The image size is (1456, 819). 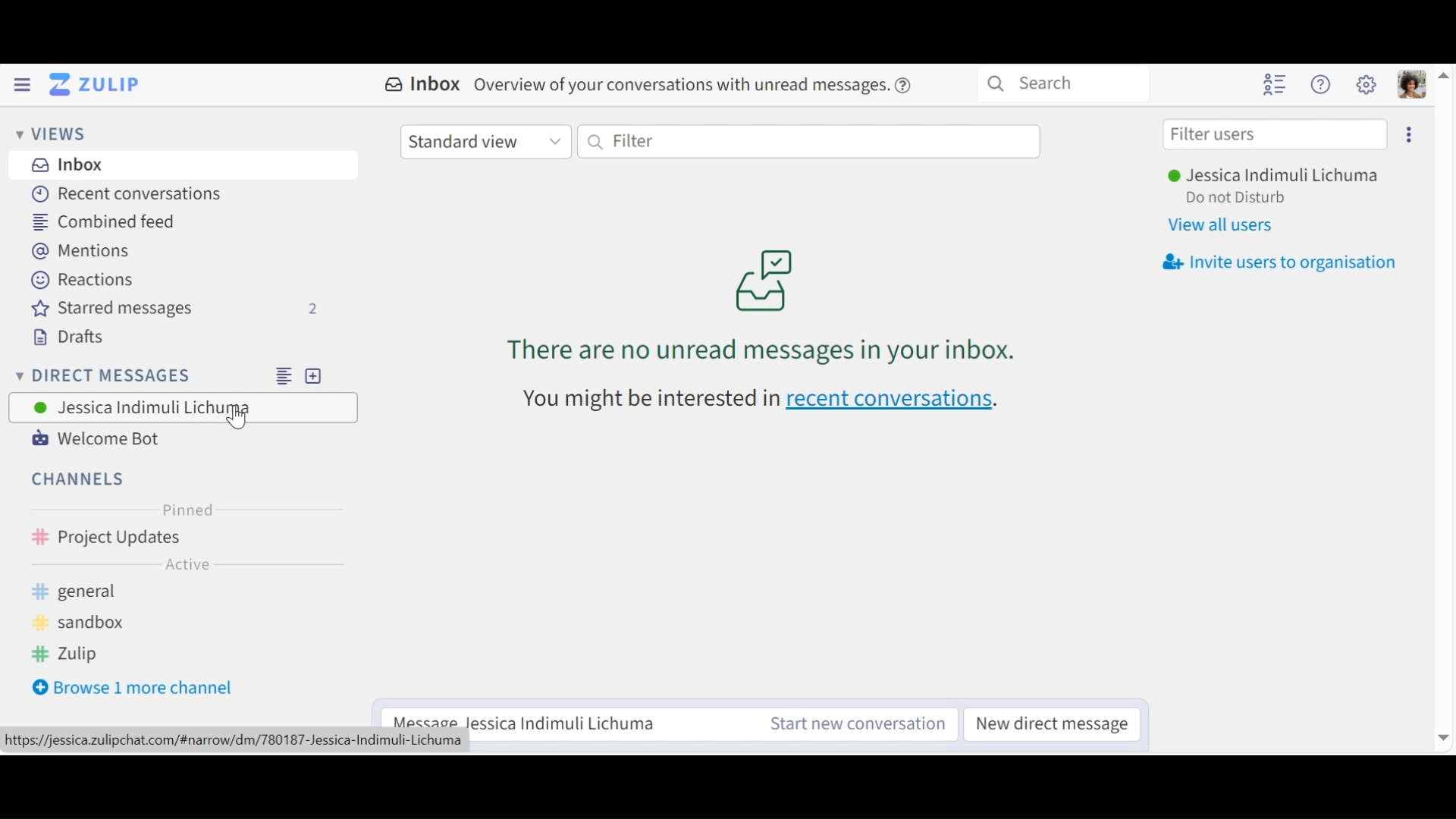 I want to click on Search, so click(x=1061, y=83).